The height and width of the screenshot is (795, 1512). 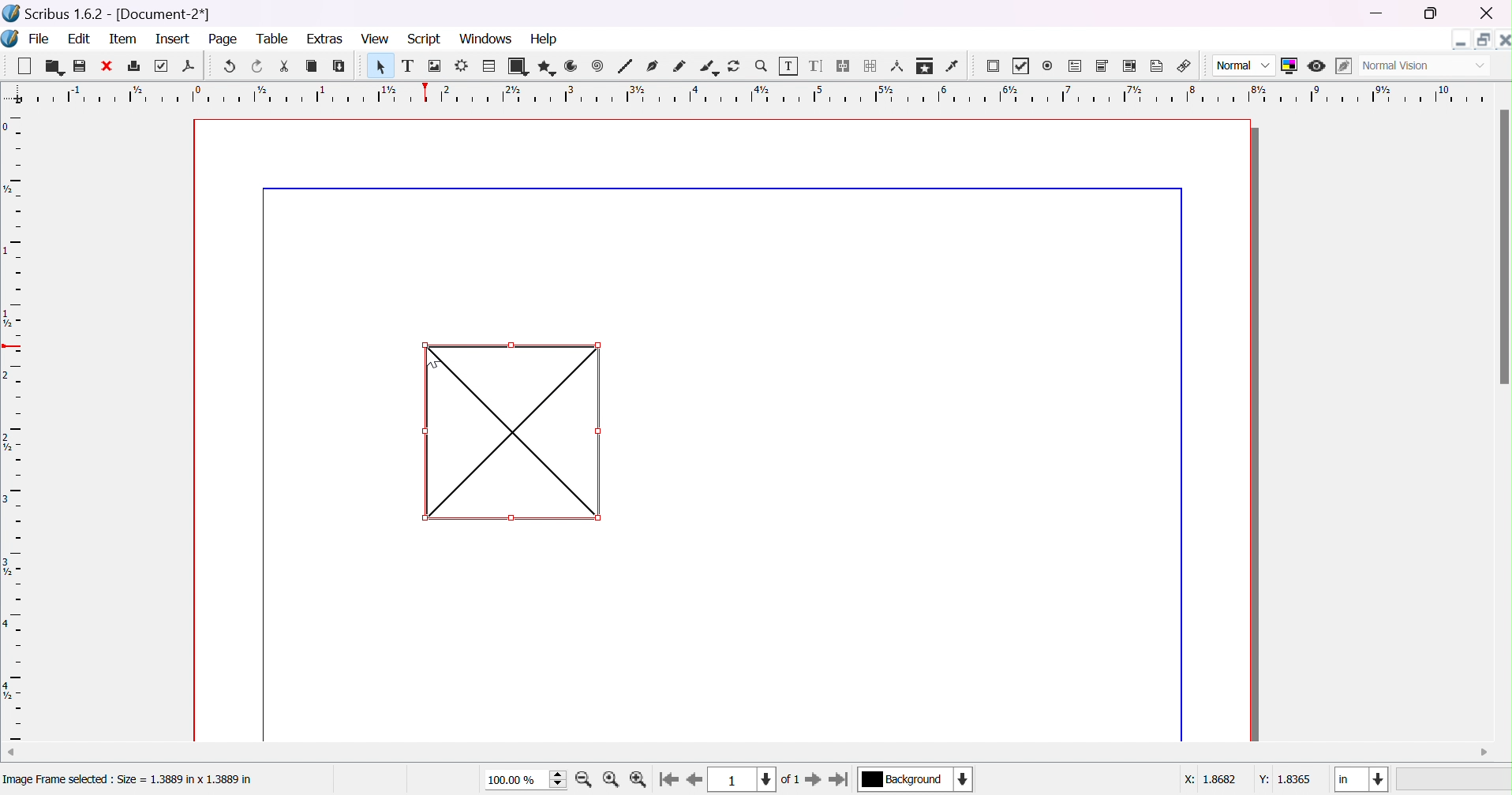 I want to click on ruler, so click(x=750, y=92).